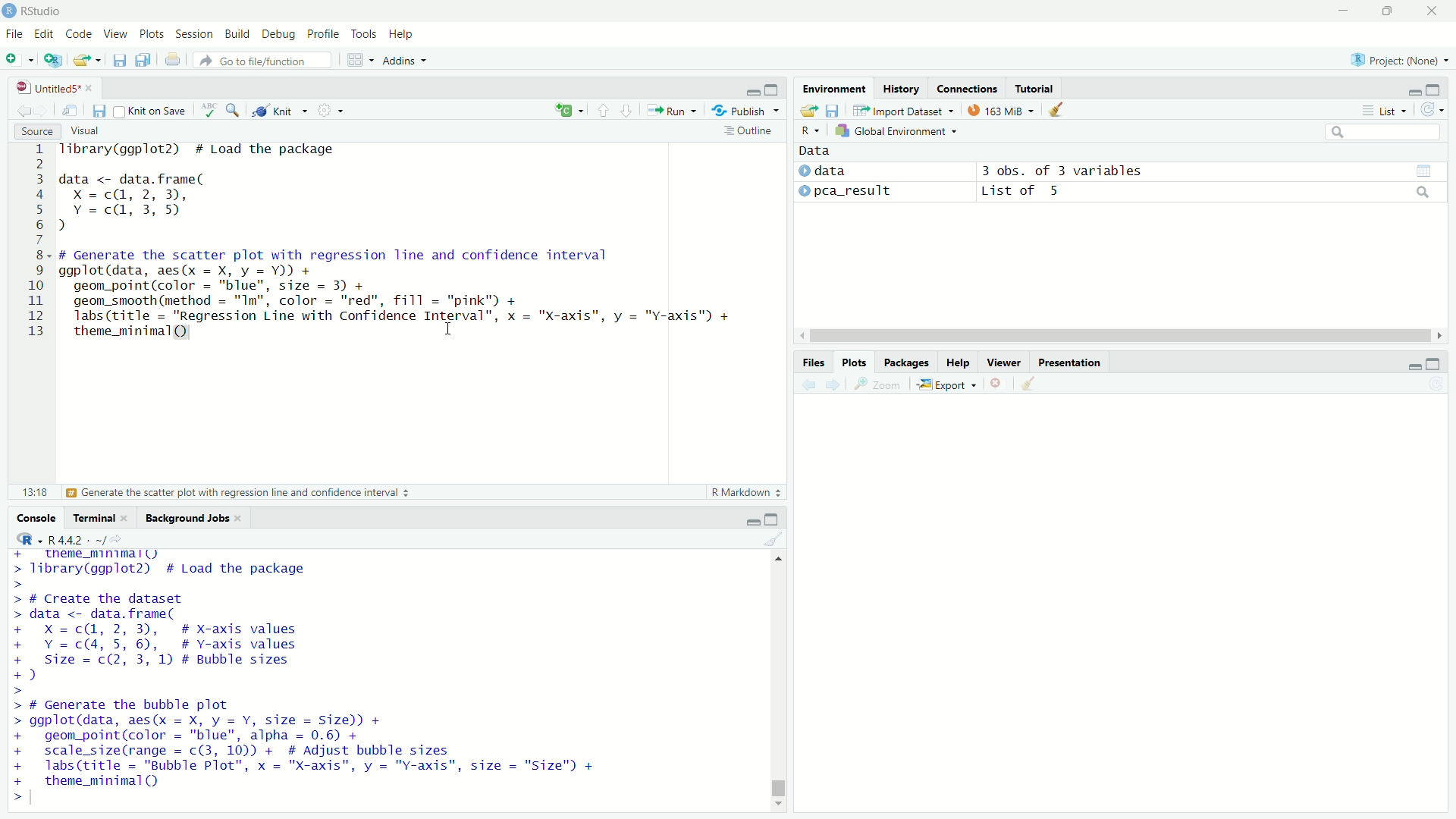 Image resolution: width=1456 pixels, height=819 pixels. What do you see at coordinates (115, 538) in the screenshot?
I see `View the current working current directory` at bounding box center [115, 538].